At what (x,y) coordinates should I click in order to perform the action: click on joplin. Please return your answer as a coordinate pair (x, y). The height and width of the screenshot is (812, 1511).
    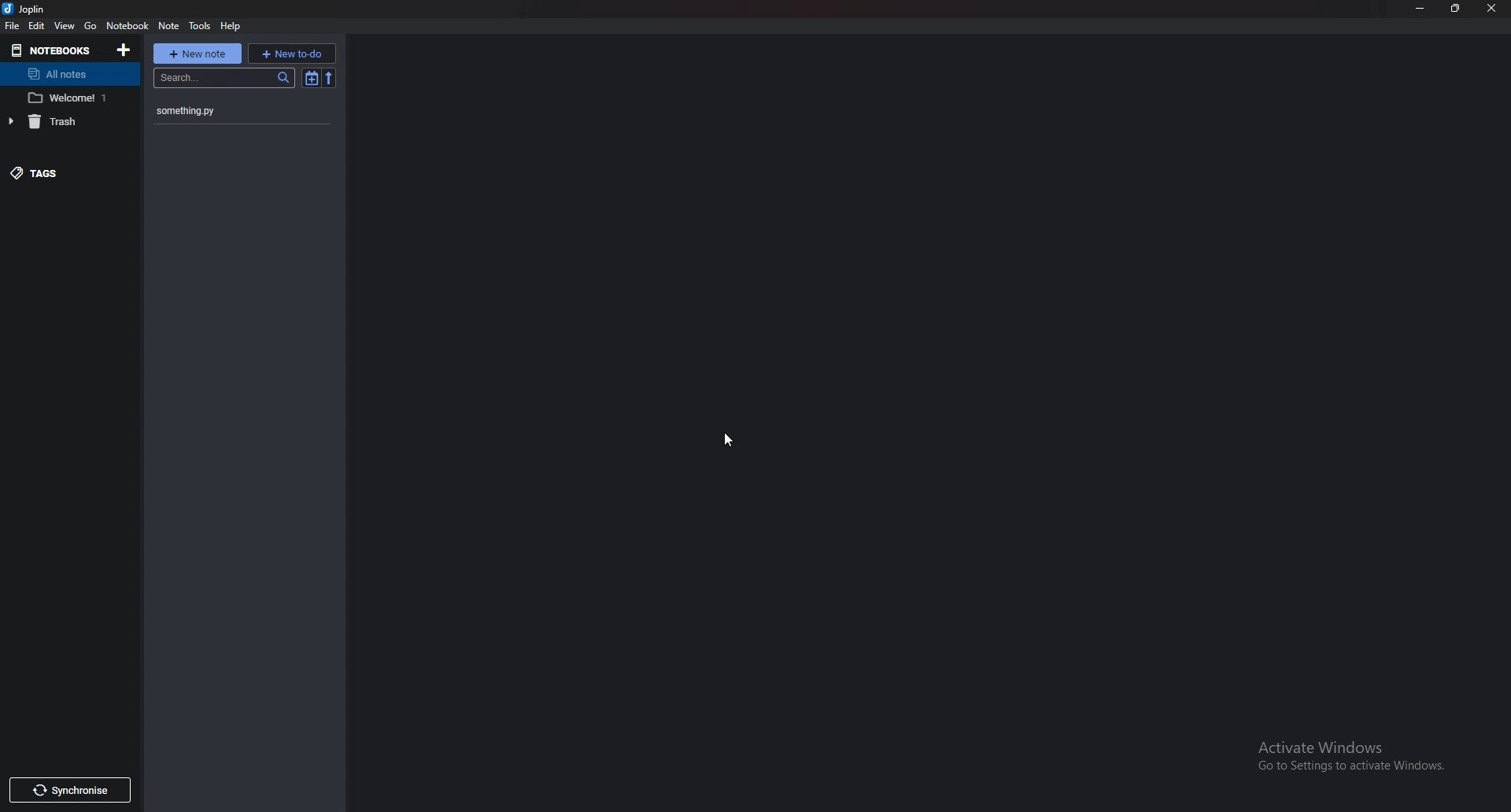
    Looking at the image, I should click on (26, 10).